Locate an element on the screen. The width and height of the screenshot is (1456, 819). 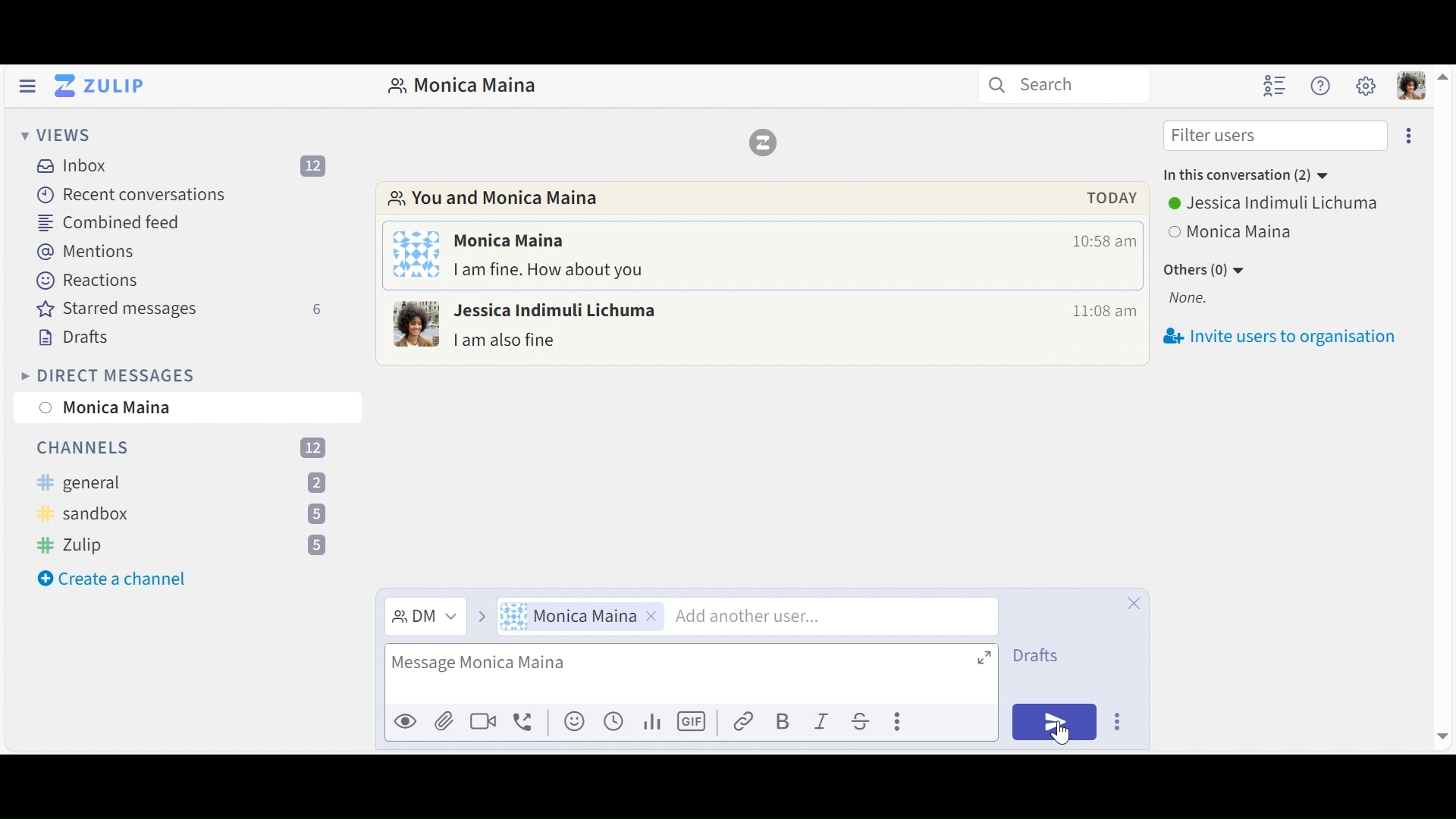
Add video call is located at coordinates (486, 719).